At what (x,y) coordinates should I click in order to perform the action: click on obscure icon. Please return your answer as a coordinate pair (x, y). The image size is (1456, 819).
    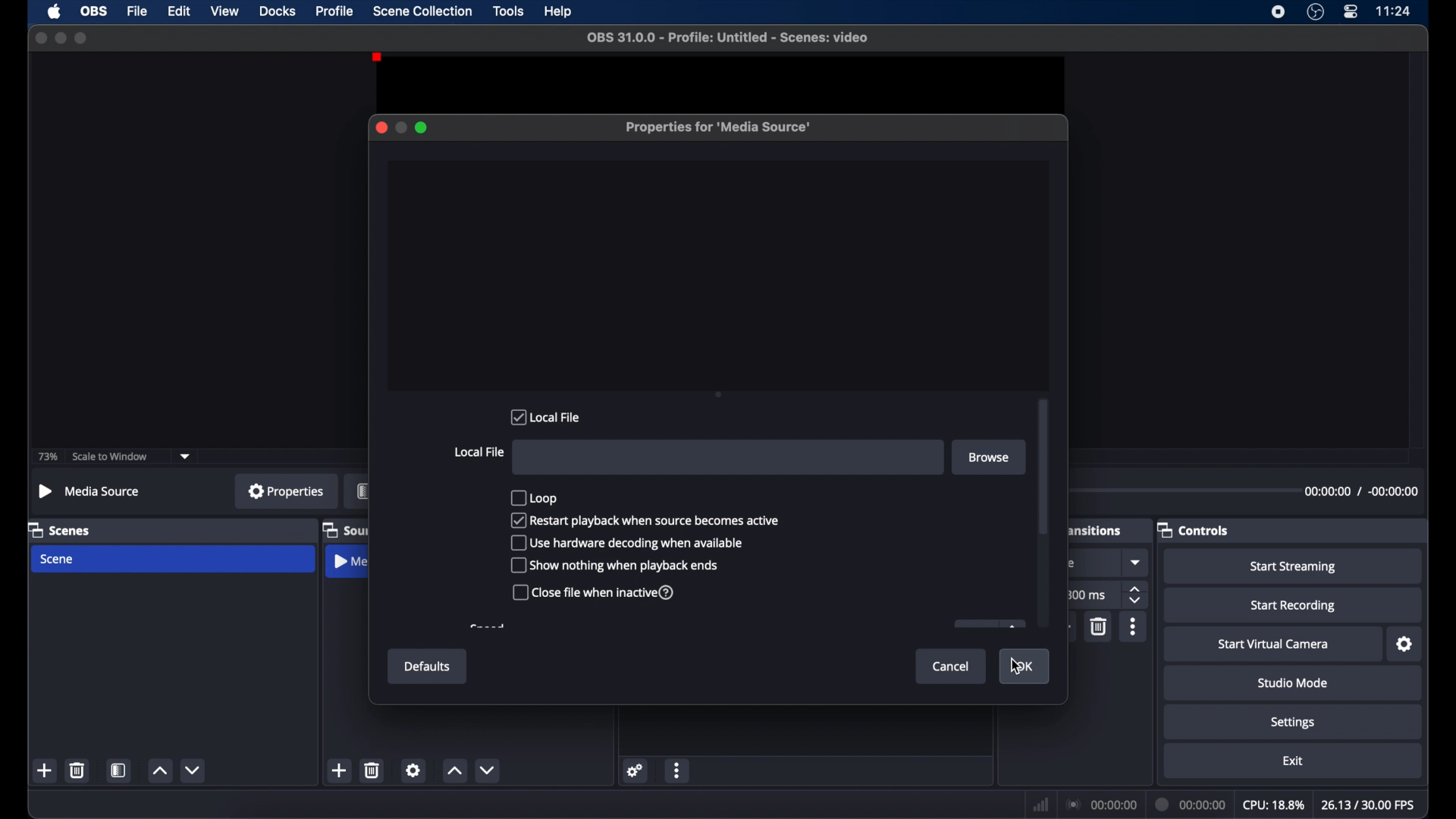
    Looking at the image, I should click on (1068, 563).